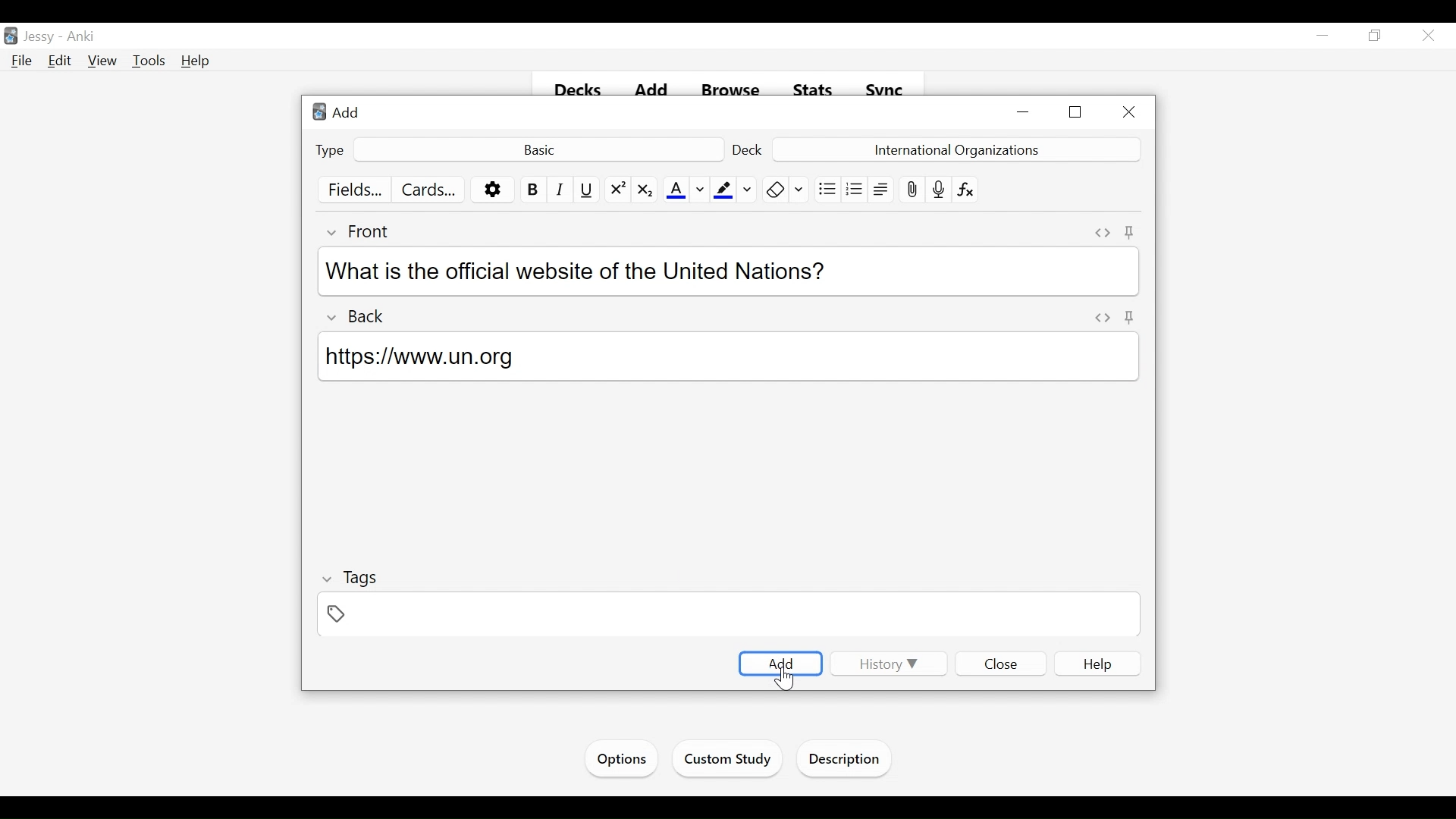  Describe the element at coordinates (912, 189) in the screenshot. I see `Attach pictures` at that location.